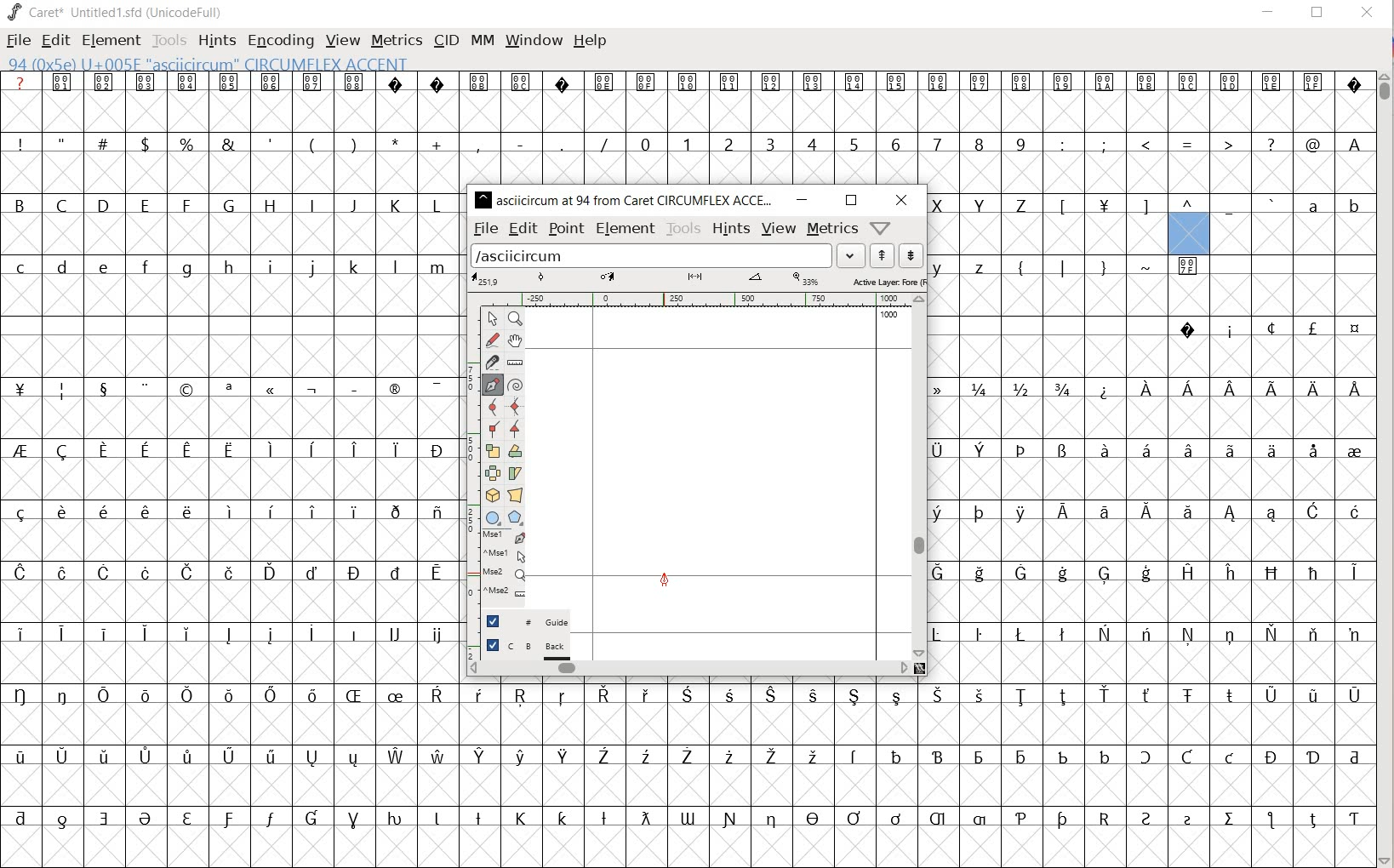  Describe the element at coordinates (445, 40) in the screenshot. I see `CID` at that location.